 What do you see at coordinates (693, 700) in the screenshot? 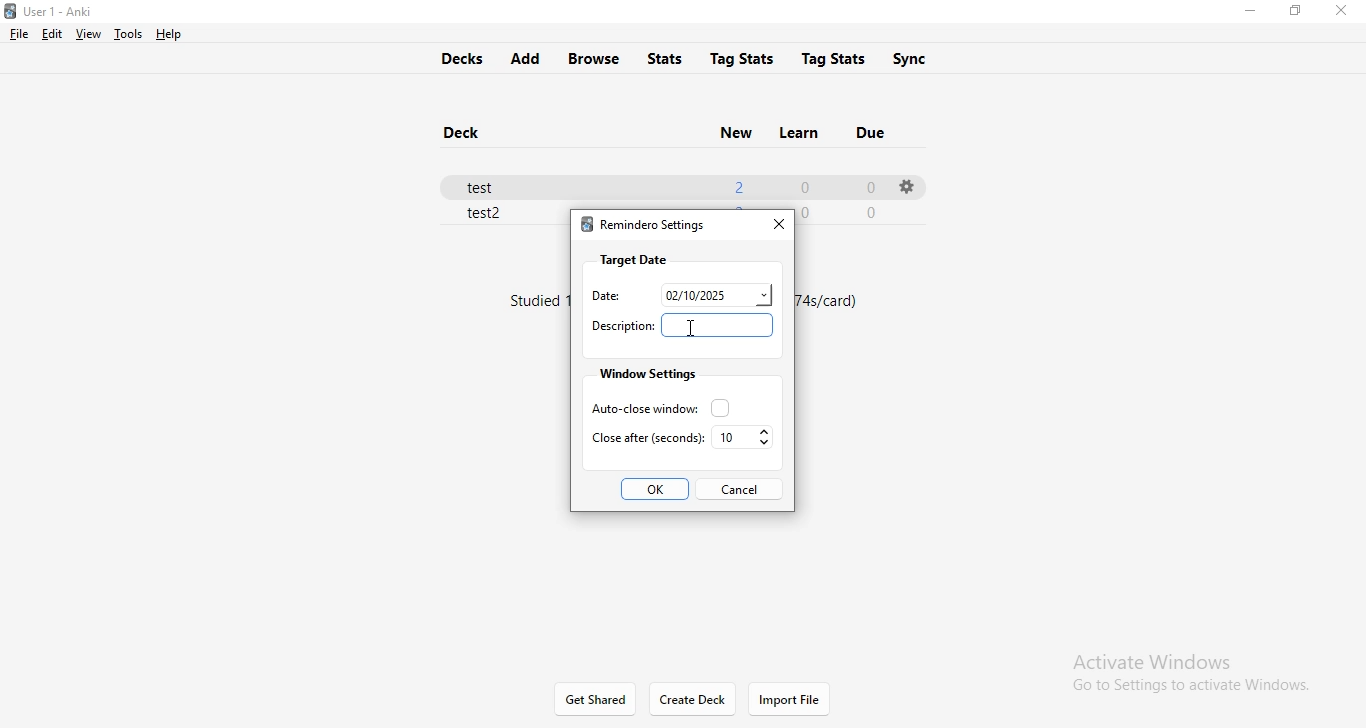
I see `Create Deck` at bounding box center [693, 700].